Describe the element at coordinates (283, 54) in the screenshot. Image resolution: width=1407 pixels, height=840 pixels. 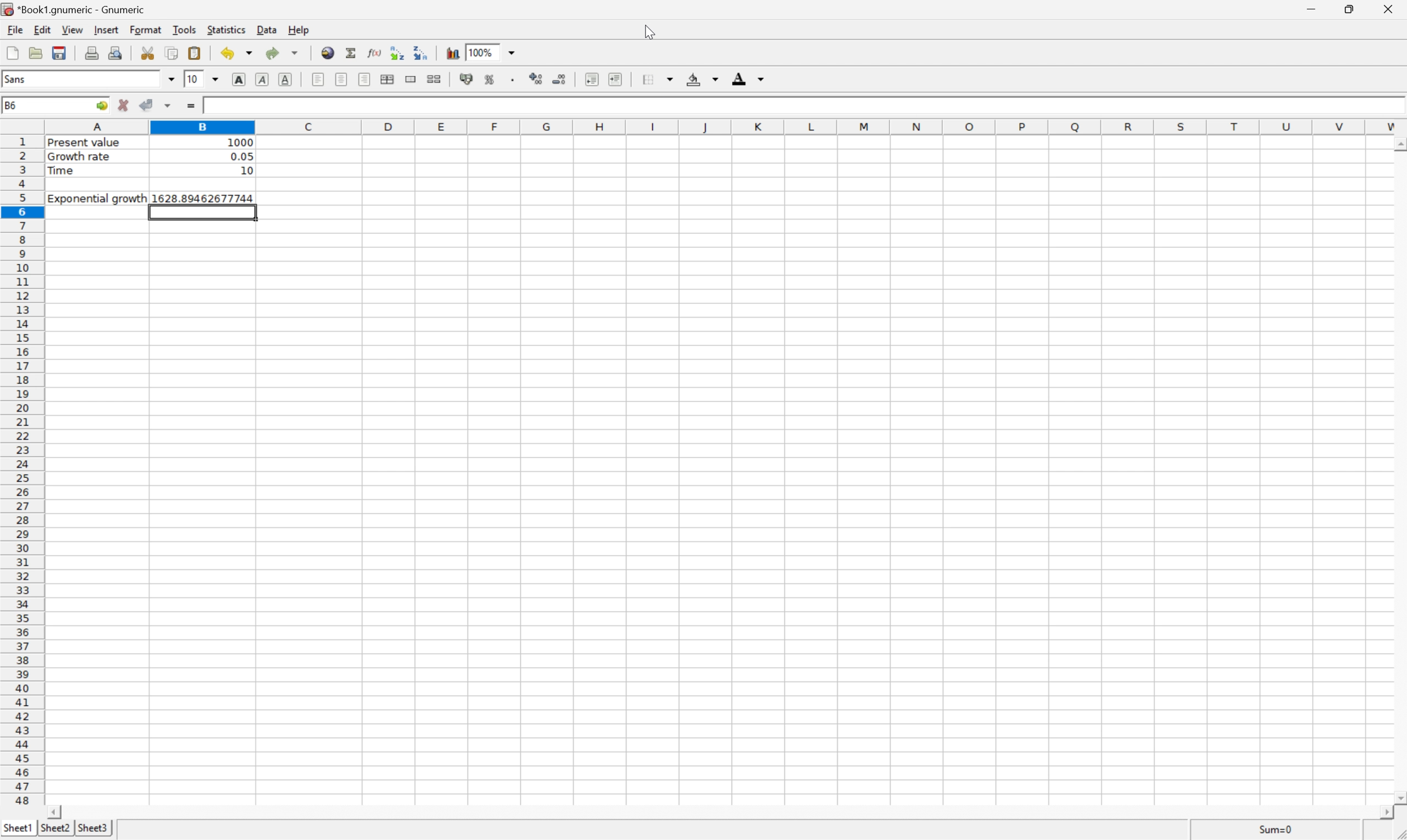
I see `Redo` at that location.